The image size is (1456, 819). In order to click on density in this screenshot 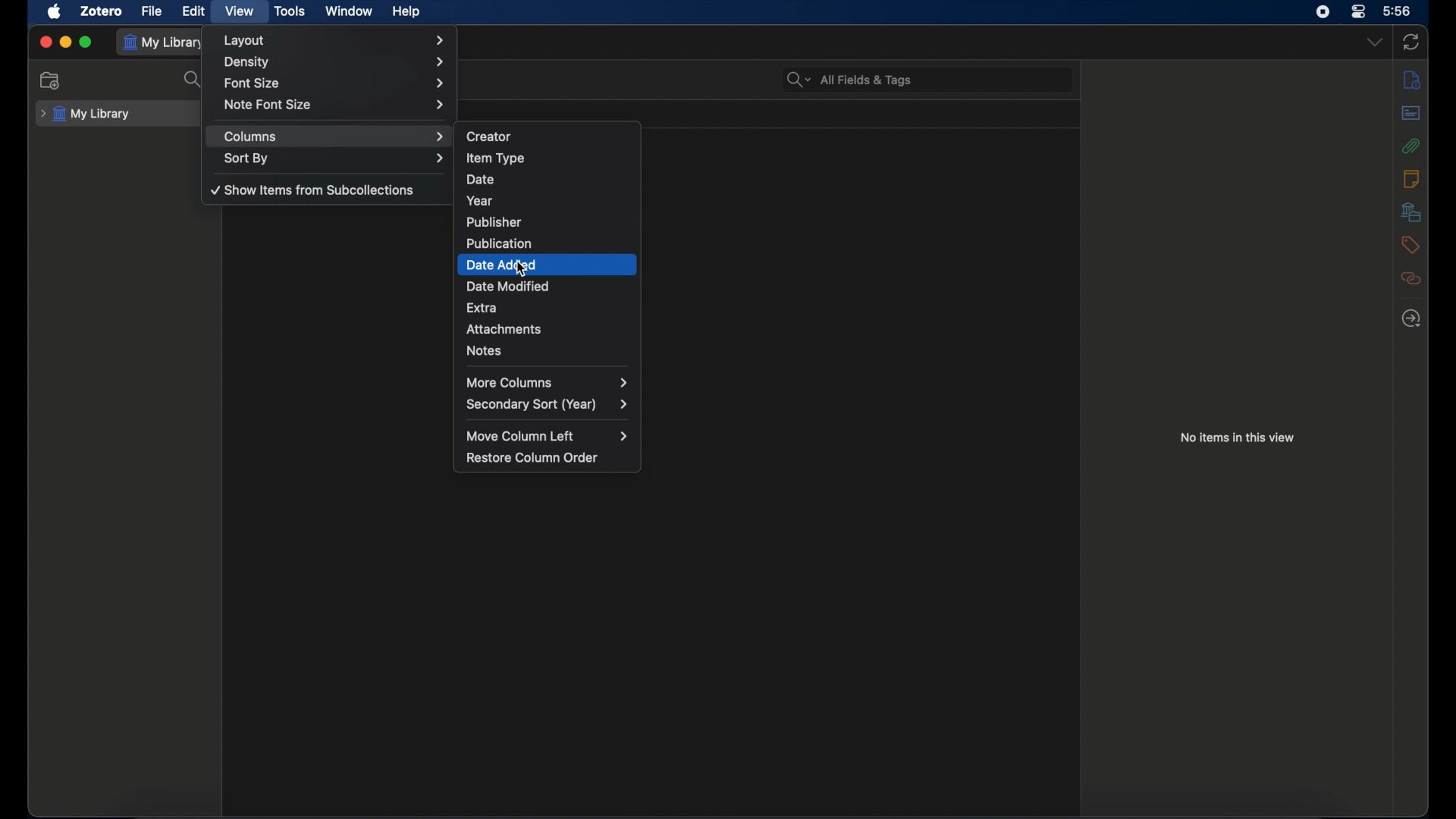, I will do `click(337, 63)`.